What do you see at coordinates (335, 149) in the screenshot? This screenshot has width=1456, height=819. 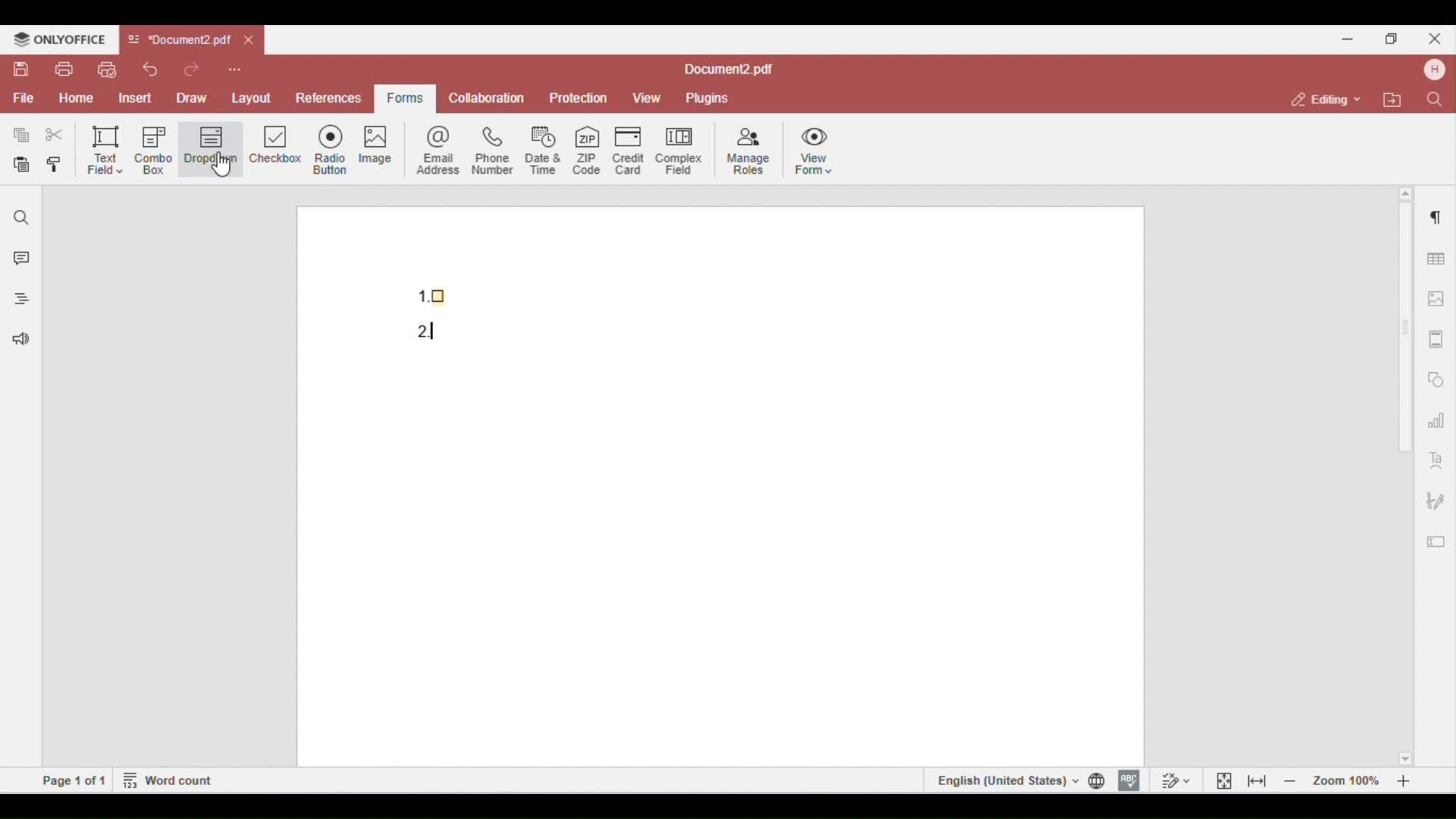 I see `radio button` at bounding box center [335, 149].